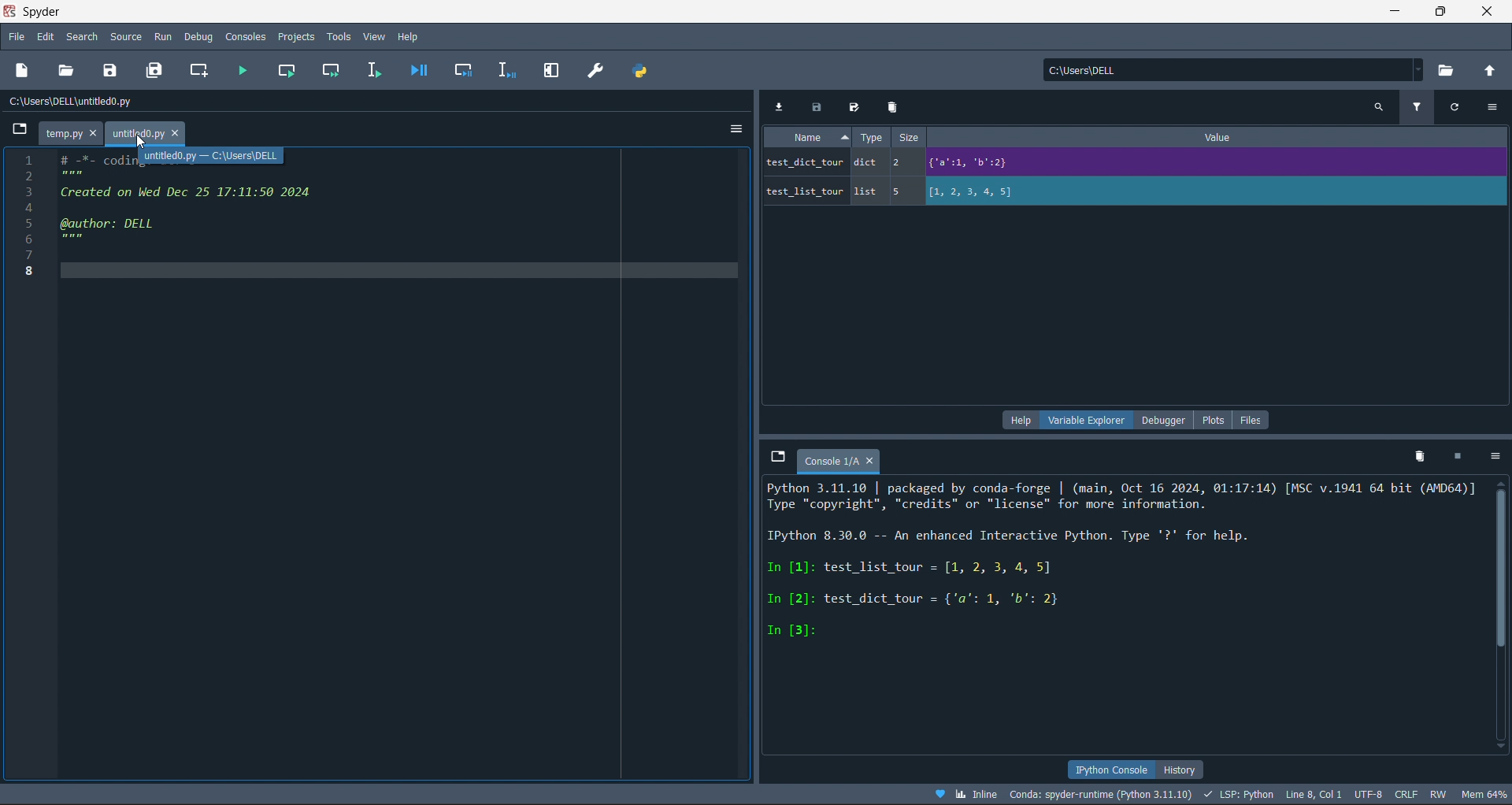 The width and height of the screenshot is (1512, 805). What do you see at coordinates (69, 132) in the screenshot?
I see `temp.py X` at bounding box center [69, 132].